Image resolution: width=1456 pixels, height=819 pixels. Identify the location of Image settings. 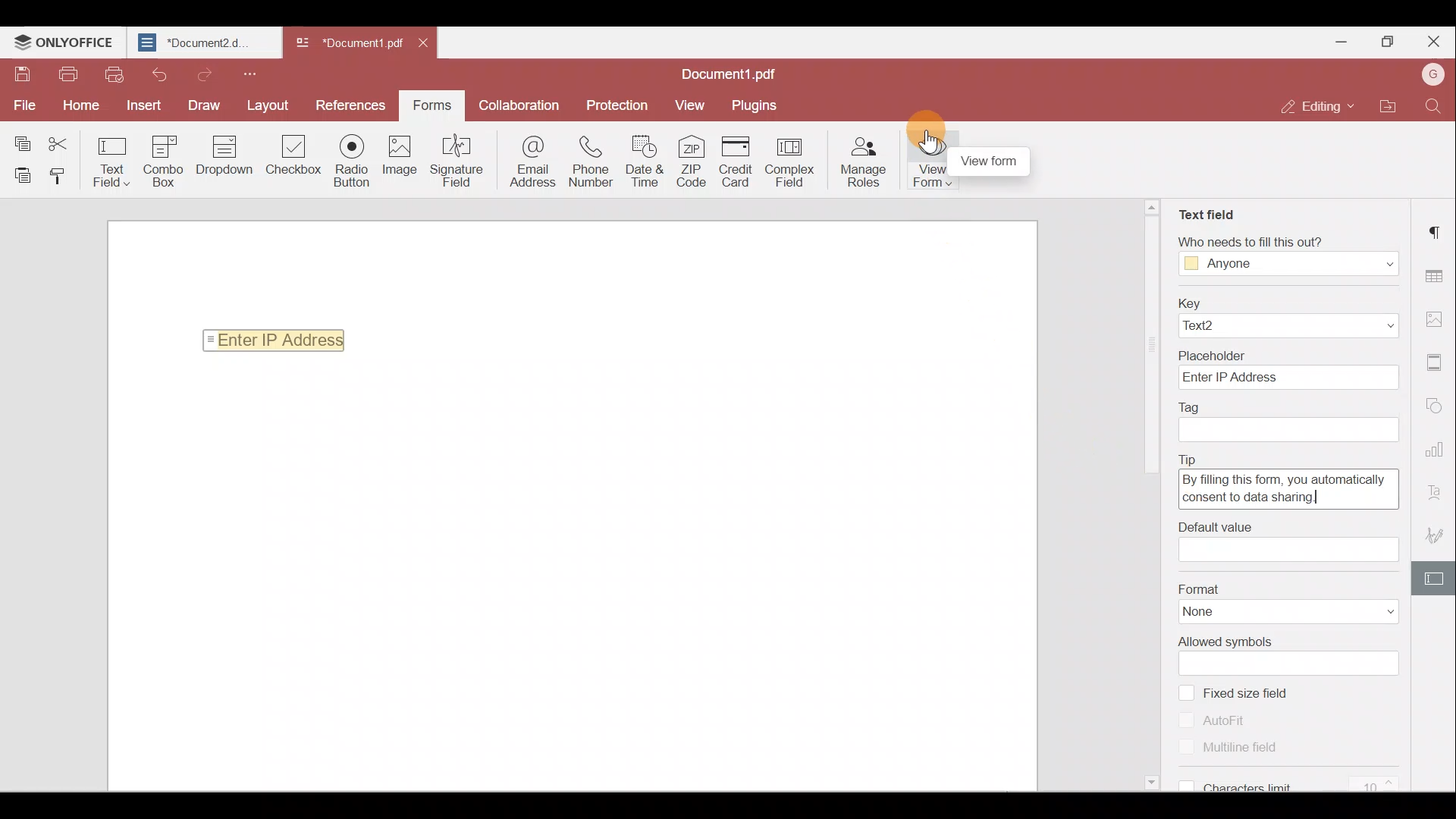
(1435, 318).